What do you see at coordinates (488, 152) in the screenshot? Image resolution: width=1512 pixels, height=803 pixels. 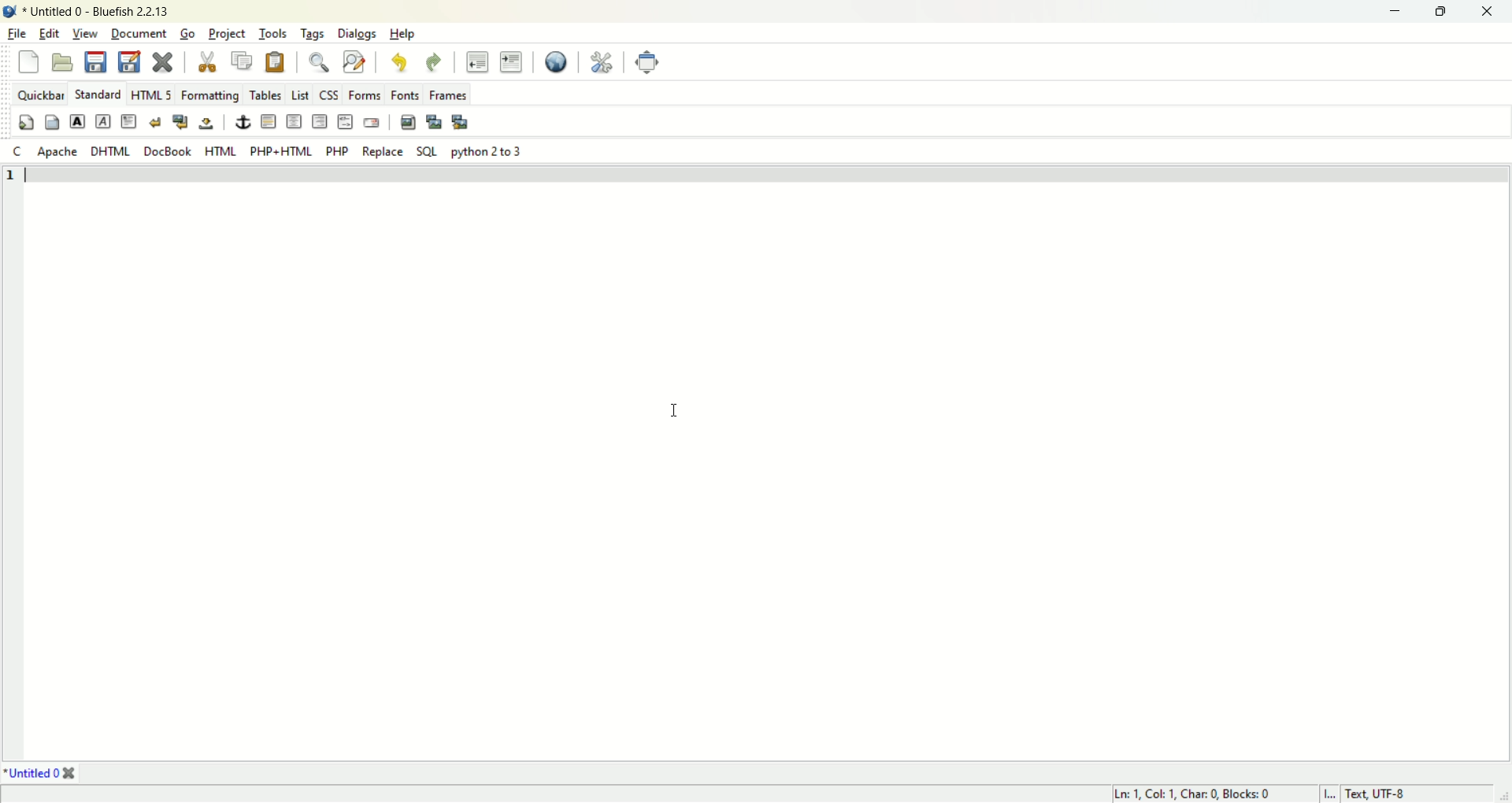 I see `python 2 to 3` at bounding box center [488, 152].